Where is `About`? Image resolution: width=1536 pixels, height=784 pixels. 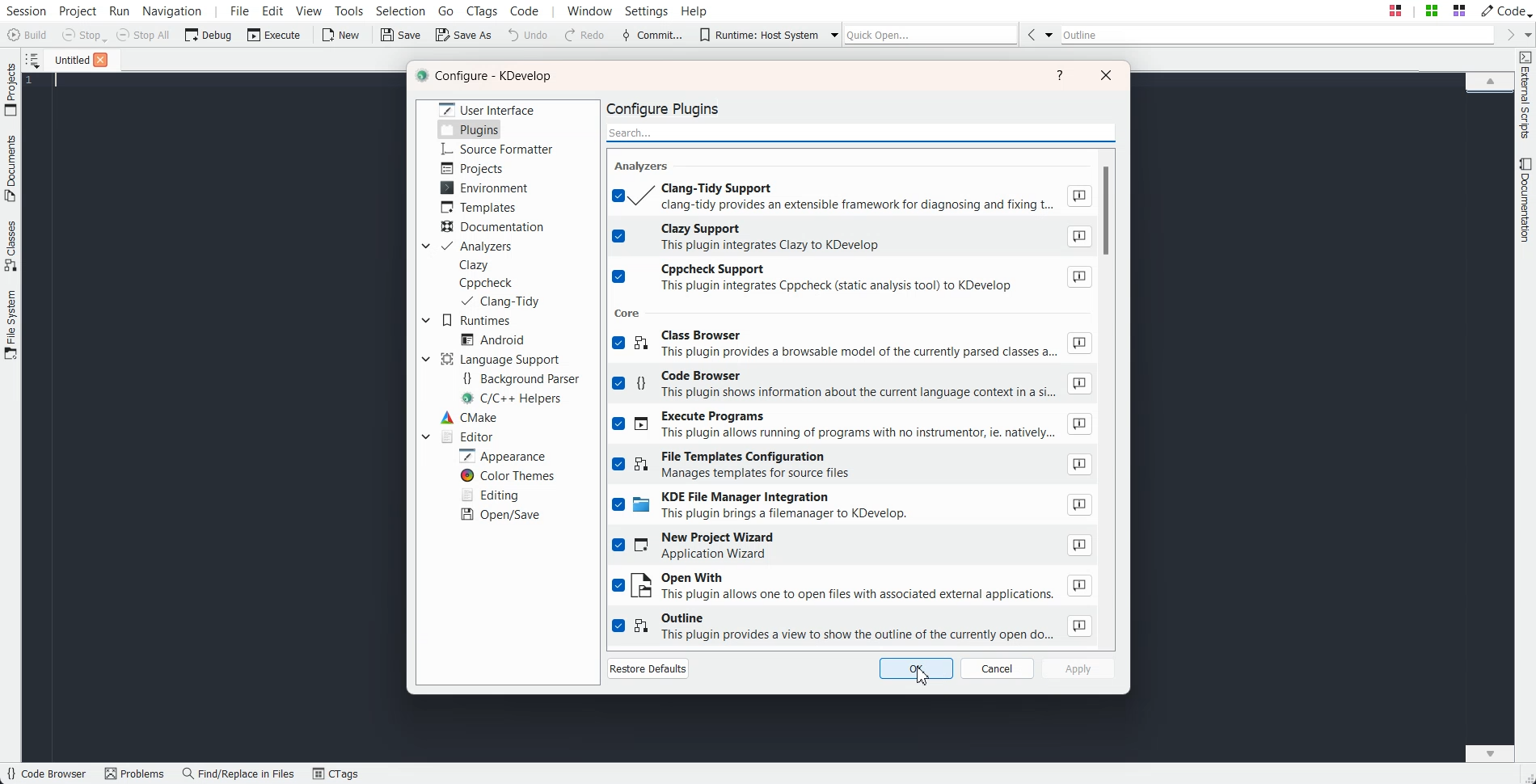
About is located at coordinates (1080, 505).